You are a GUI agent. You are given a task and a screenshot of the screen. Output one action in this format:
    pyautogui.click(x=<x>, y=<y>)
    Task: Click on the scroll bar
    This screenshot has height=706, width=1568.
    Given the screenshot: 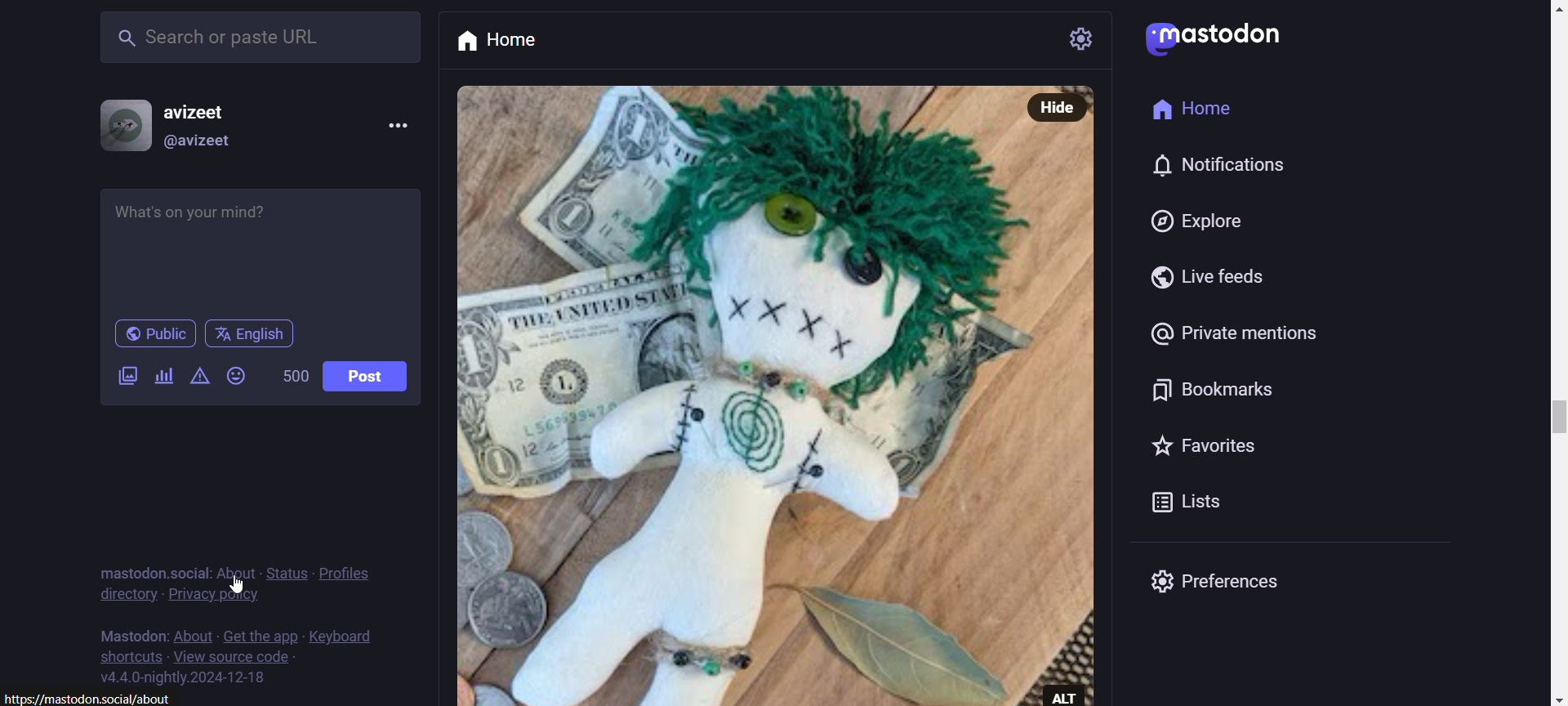 What is the action you would take?
    pyautogui.click(x=1552, y=425)
    